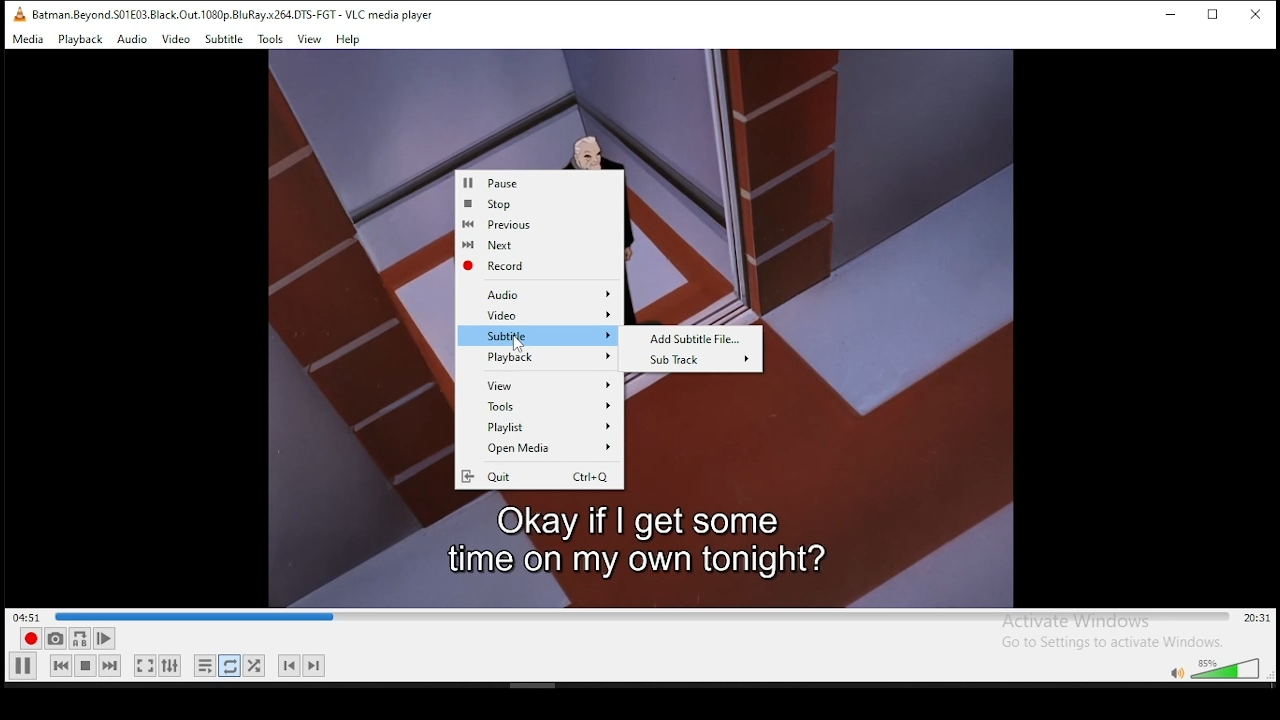 This screenshot has height=720, width=1280. What do you see at coordinates (643, 542) in the screenshot?
I see `Okay if | get some
timeion my own tonight?` at bounding box center [643, 542].